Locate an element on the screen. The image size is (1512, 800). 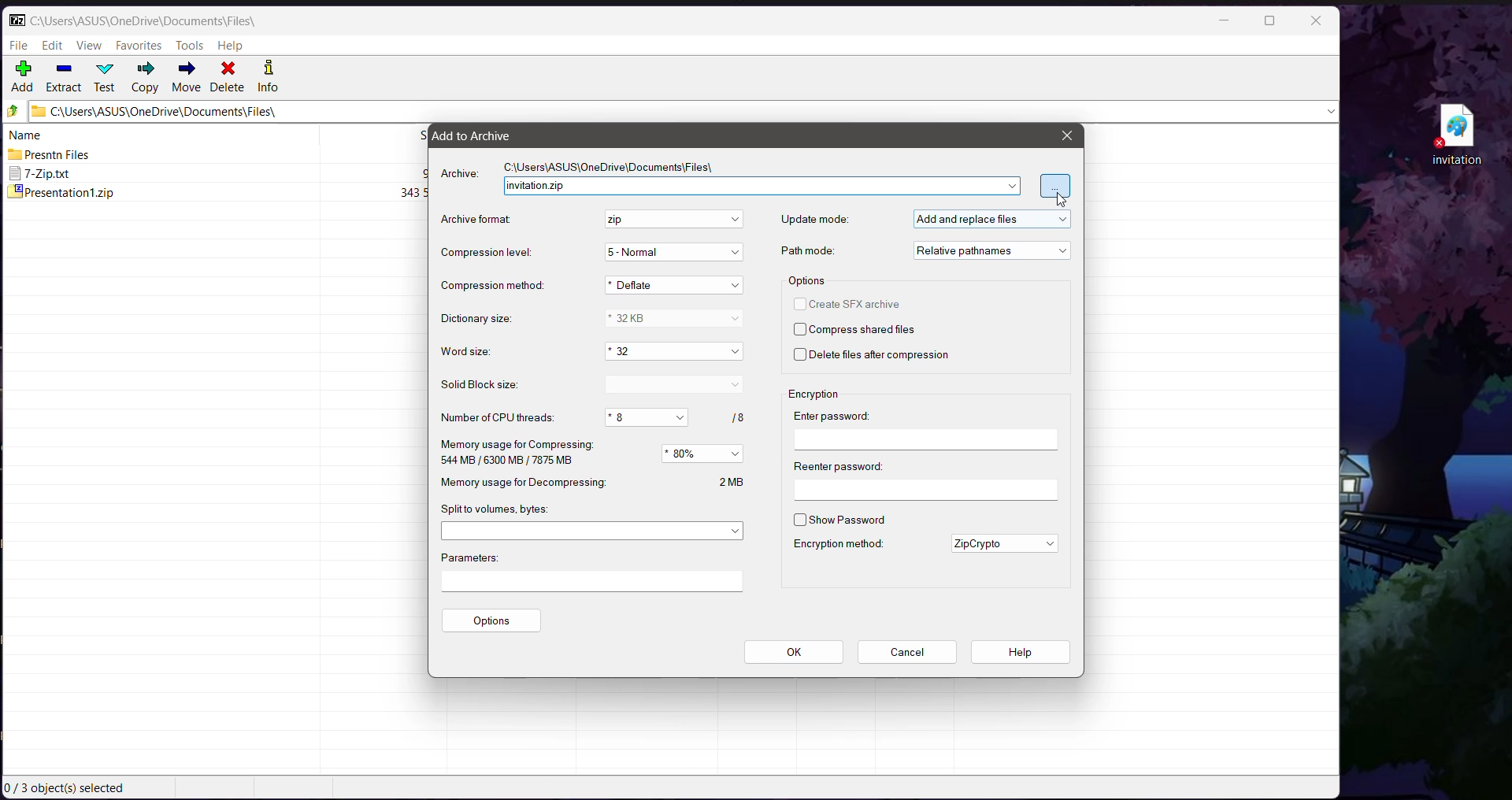
Set the Compression method is located at coordinates (676, 285).